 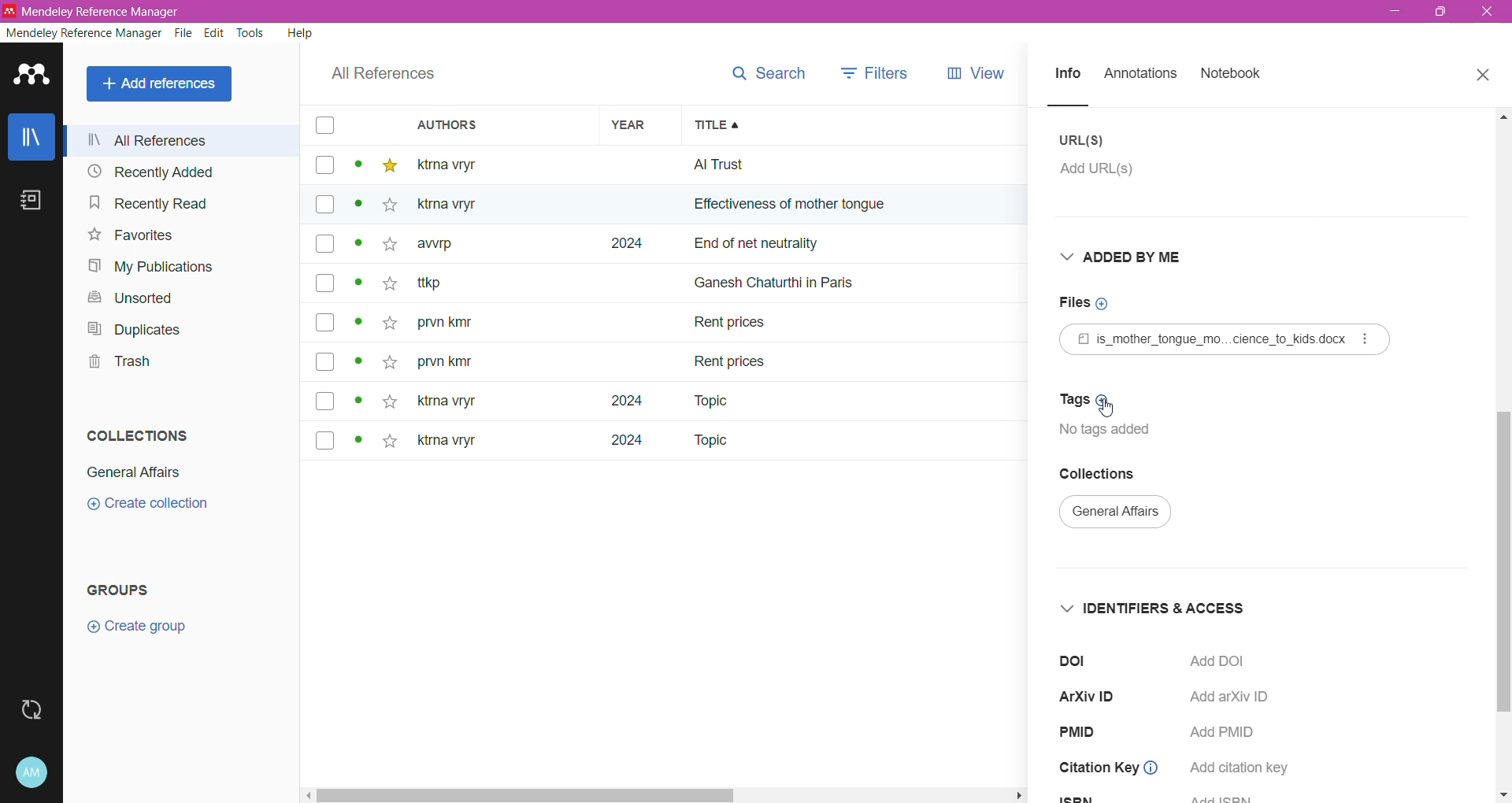 I want to click on Vertical Scroll Bar dragged to final position, so click(x=1503, y=412).